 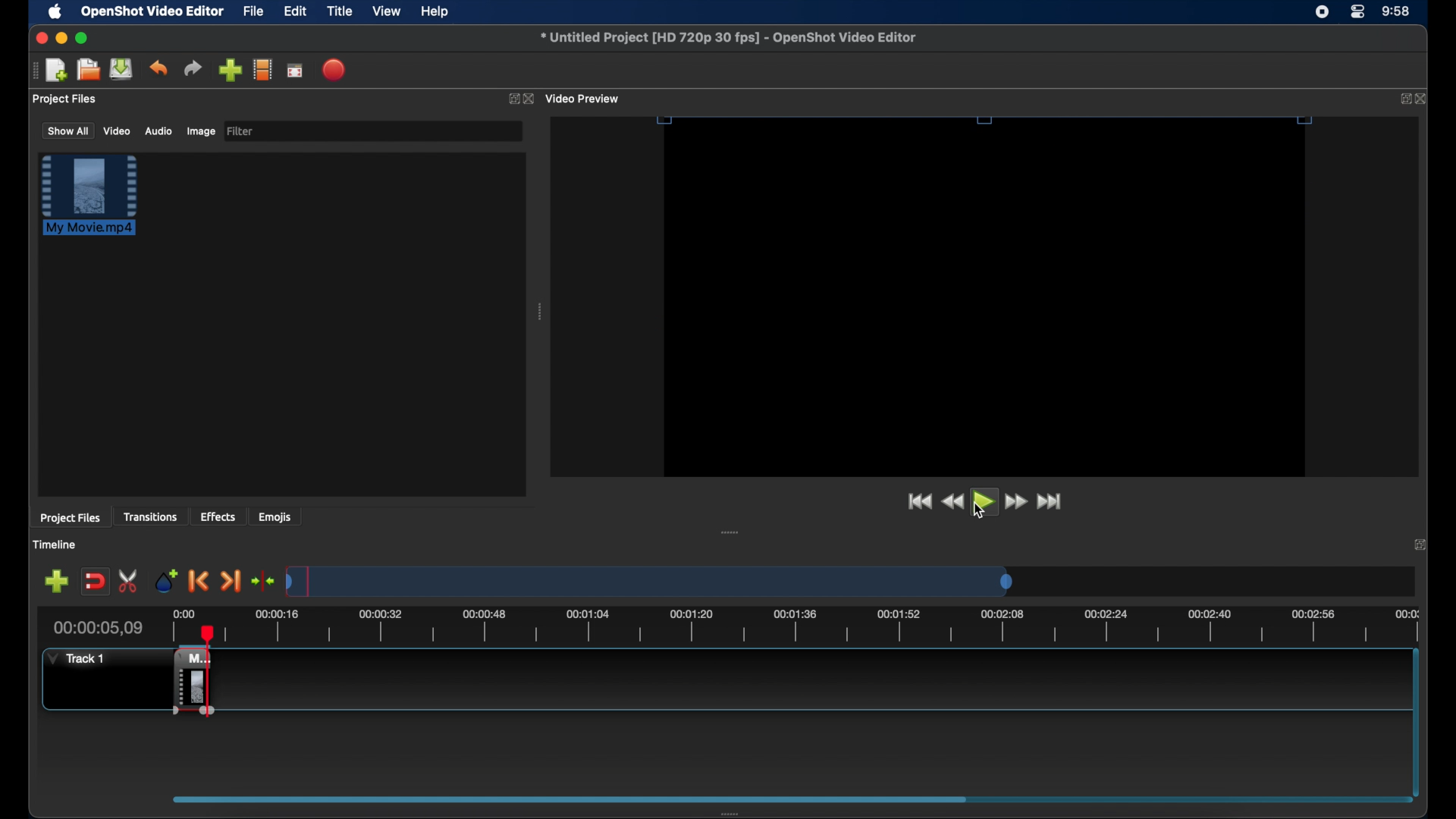 What do you see at coordinates (977, 511) in the screenshot?
I see `cursor` at bounding box center [977, 511].